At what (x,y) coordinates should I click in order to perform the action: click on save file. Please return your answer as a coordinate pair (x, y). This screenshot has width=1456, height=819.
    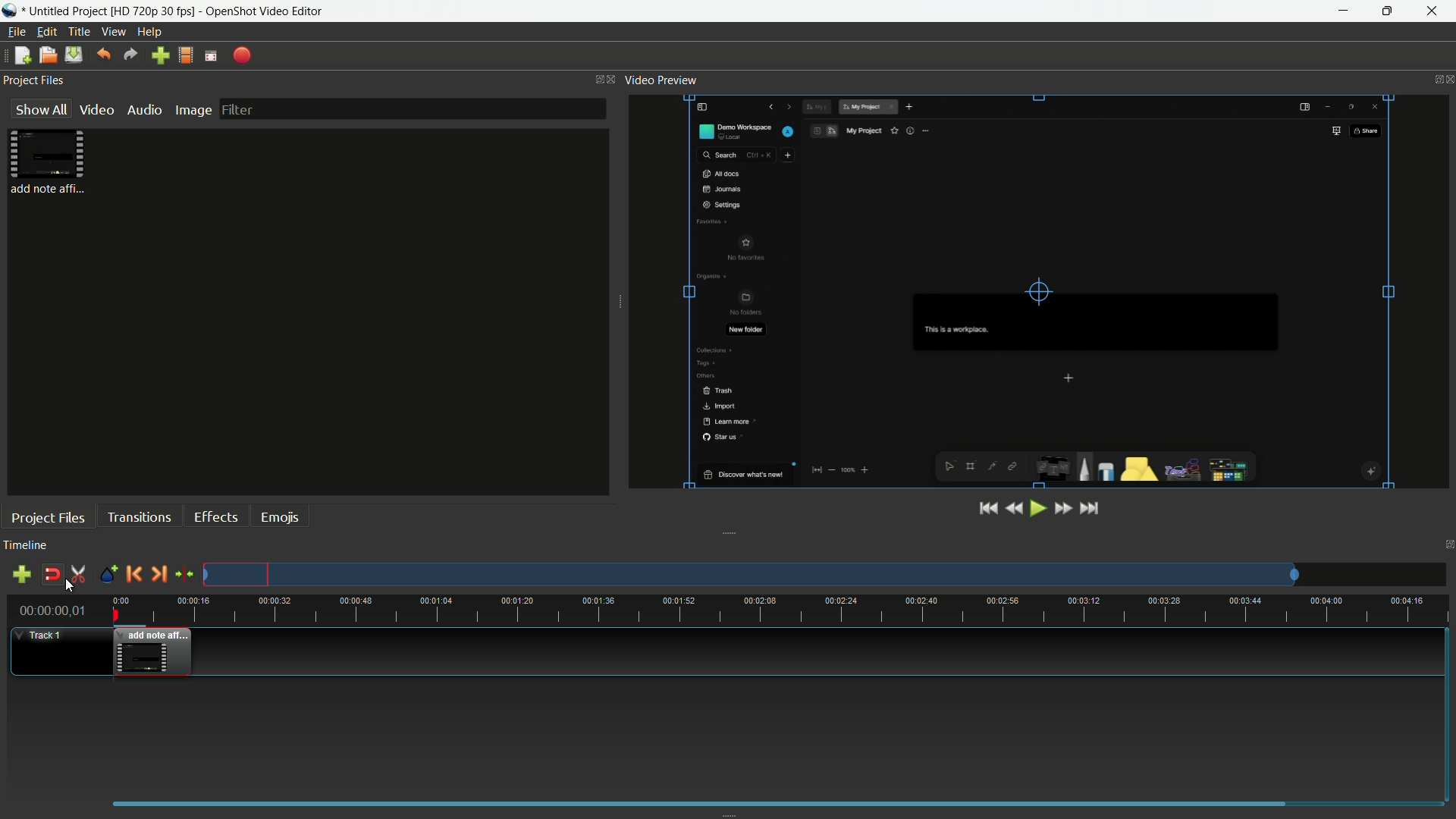
    Looking at the image, I should click on (72, 55).